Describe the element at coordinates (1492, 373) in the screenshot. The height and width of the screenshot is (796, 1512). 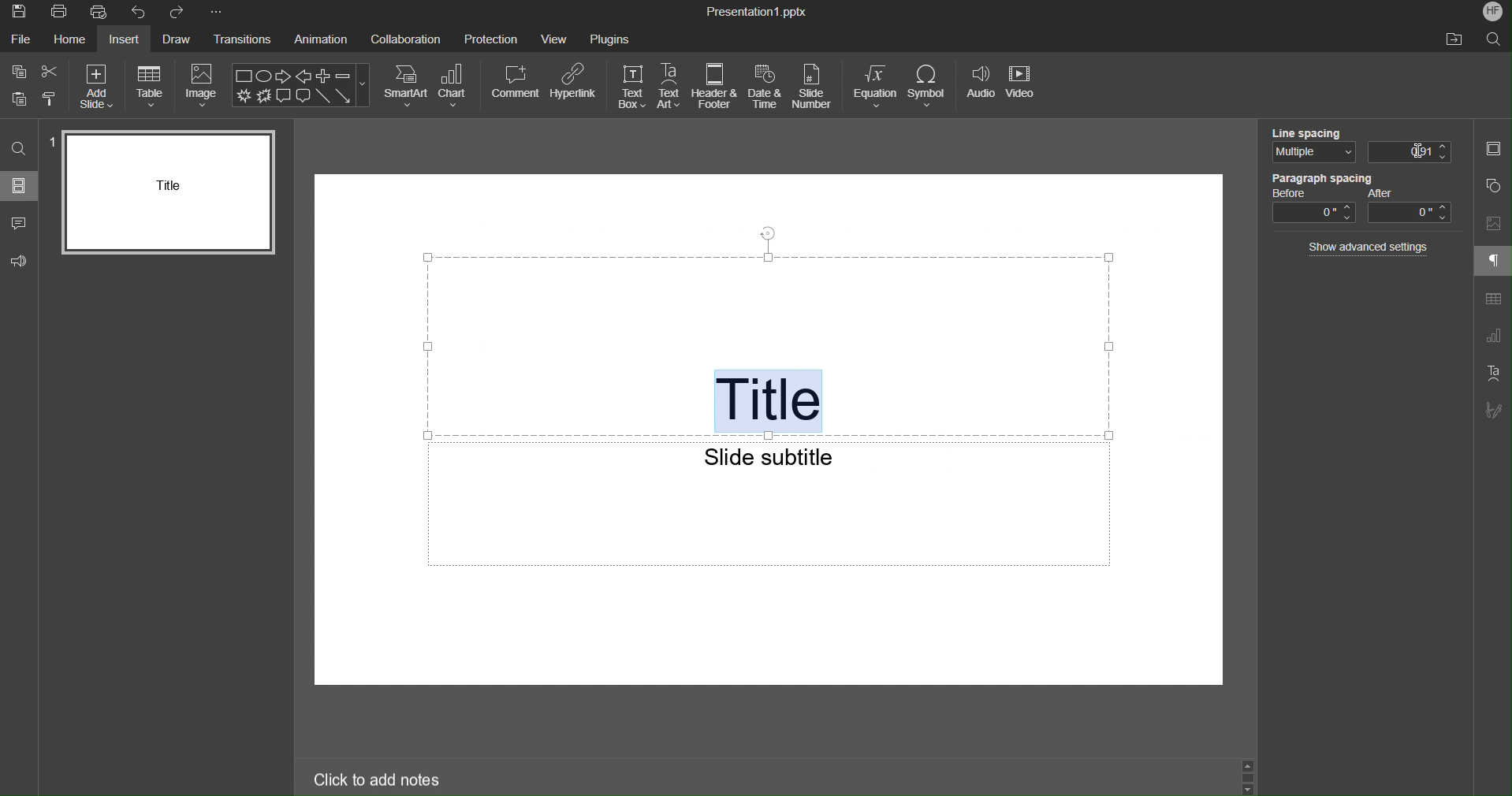
I see `Text Art` at that location.